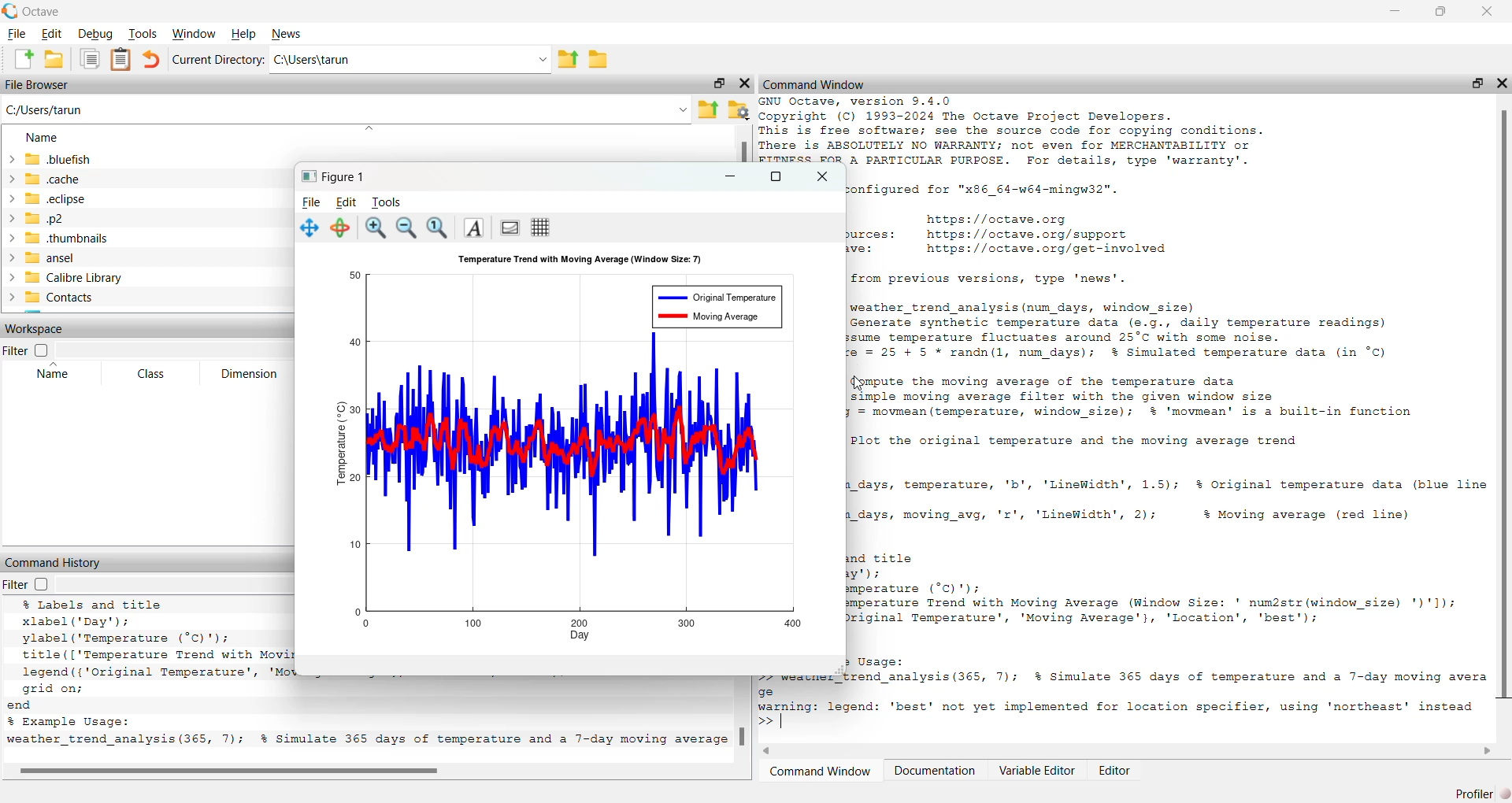 Image resolution: width=1512 pixels, height=803 pixels. What do you see at coordinates (409, 229) in the screenshot?
I see `Zoom Out` at bounding box center [409, 229].